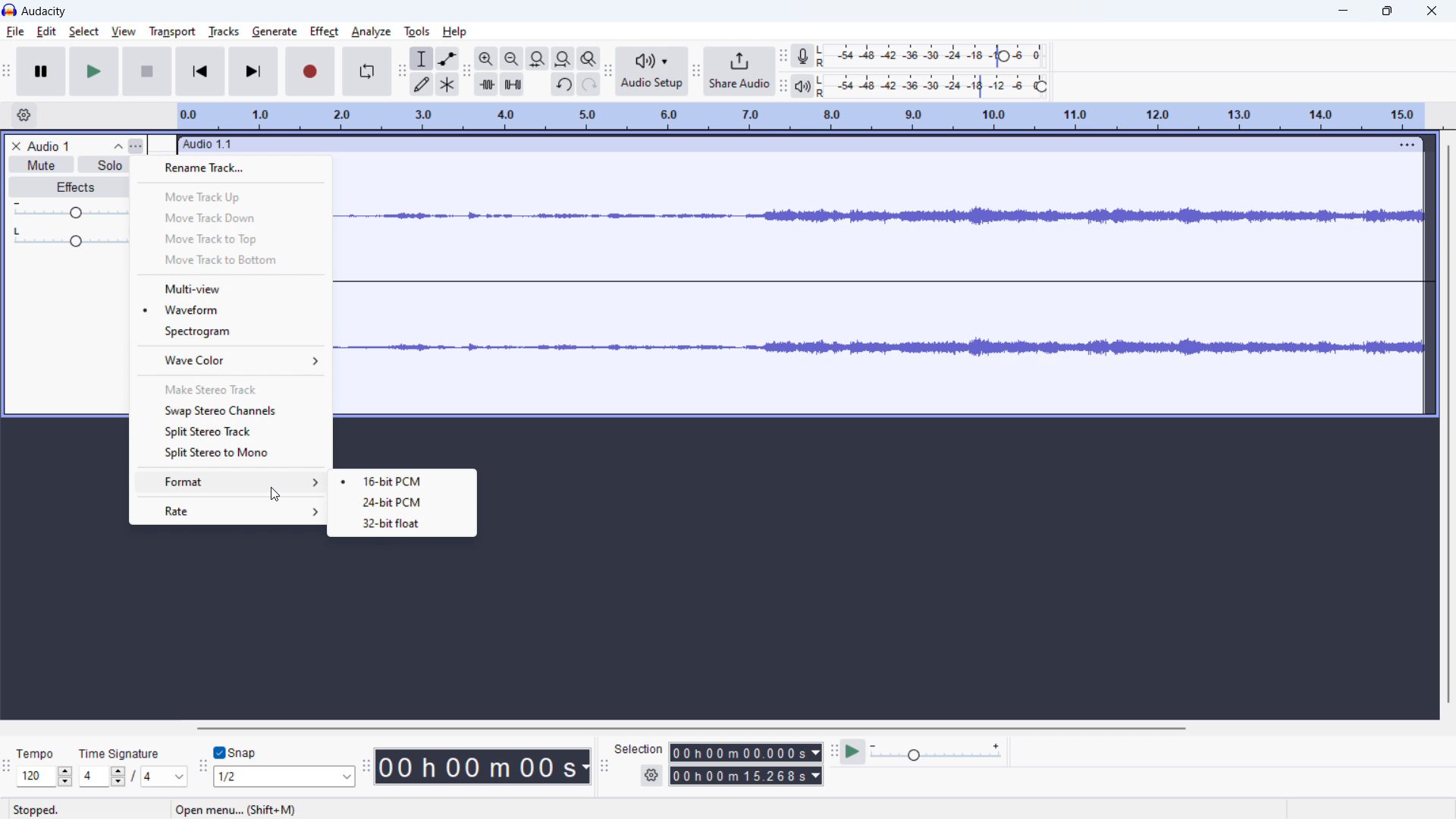 Image resolution: width=1456 pixels, height=819 pixels. What do you see at coordinates (229, 389) in the screenshot?
I see `make stereo track` at bounding box center [229, 389].